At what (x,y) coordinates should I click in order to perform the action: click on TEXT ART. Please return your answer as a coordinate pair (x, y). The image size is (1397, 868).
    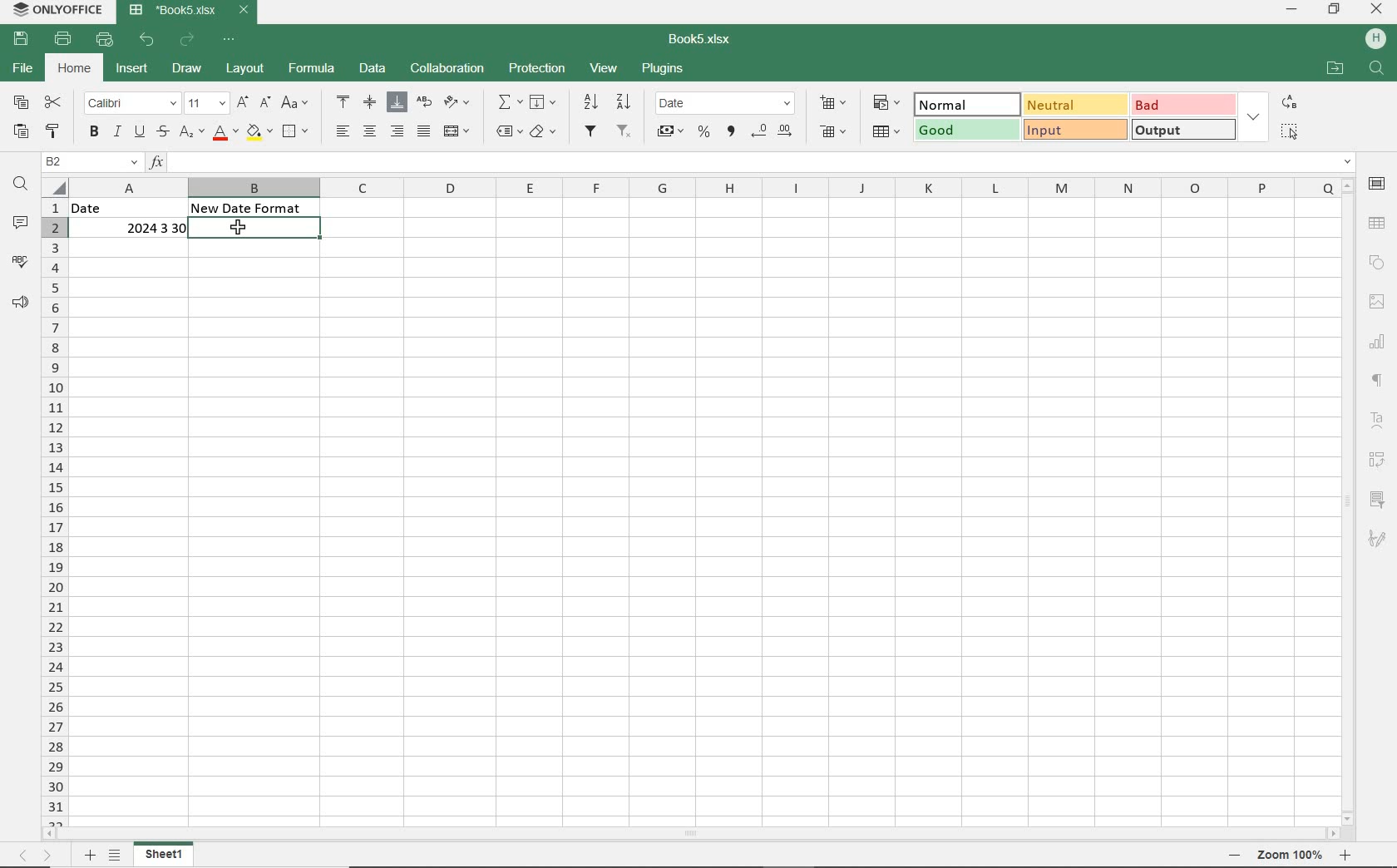
    Looking at the image, I should click on (1380, 421).